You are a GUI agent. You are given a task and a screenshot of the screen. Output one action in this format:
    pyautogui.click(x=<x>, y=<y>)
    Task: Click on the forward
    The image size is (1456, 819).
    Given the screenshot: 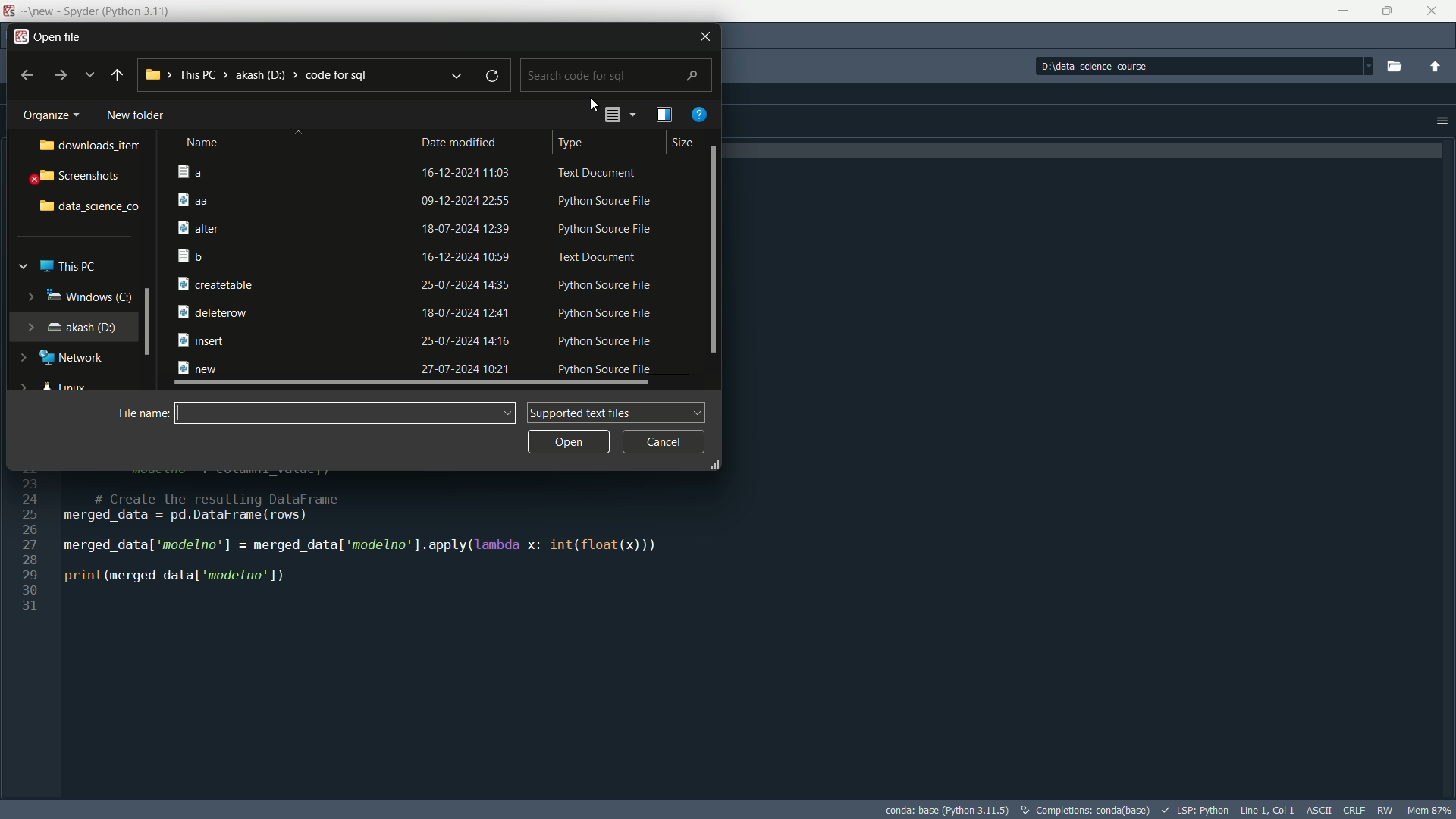 What is the action you would take?
    pyautogui.click(x=61, y=75)
    